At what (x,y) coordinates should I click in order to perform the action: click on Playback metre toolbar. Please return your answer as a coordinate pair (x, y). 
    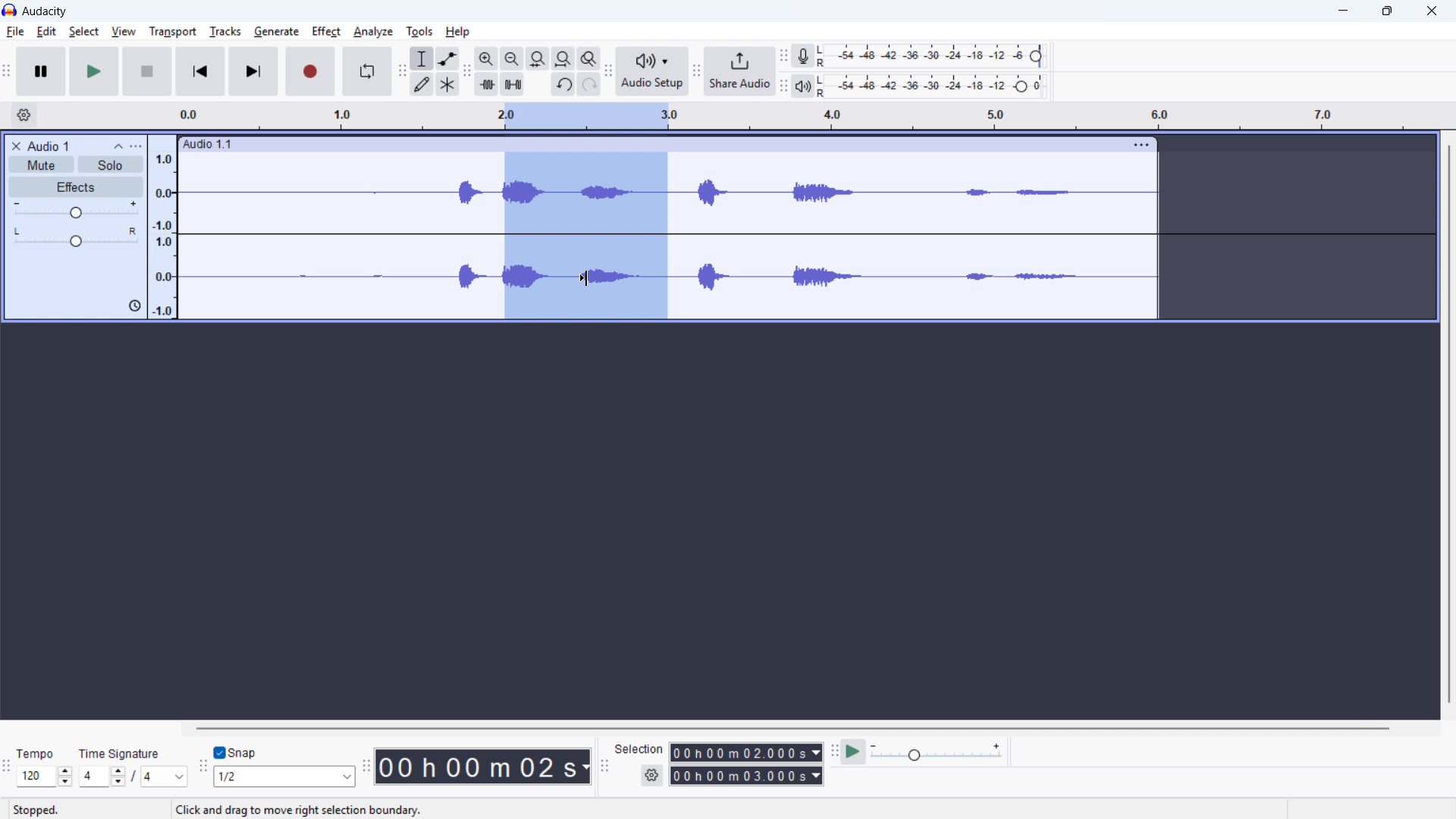
    Looking at the image, I should click on (783, 86).